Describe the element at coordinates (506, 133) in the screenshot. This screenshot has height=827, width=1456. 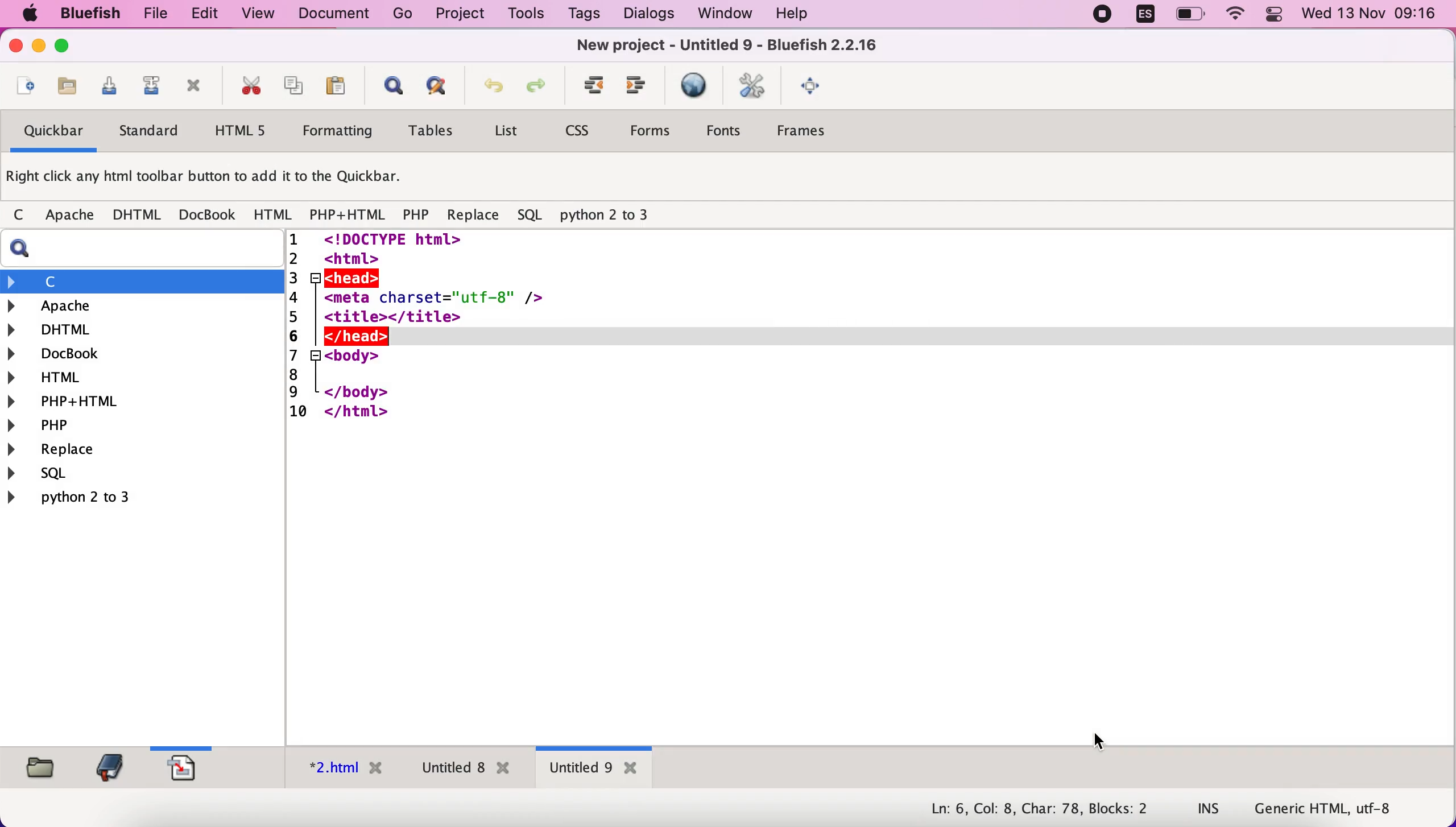
I see `list` at that location.